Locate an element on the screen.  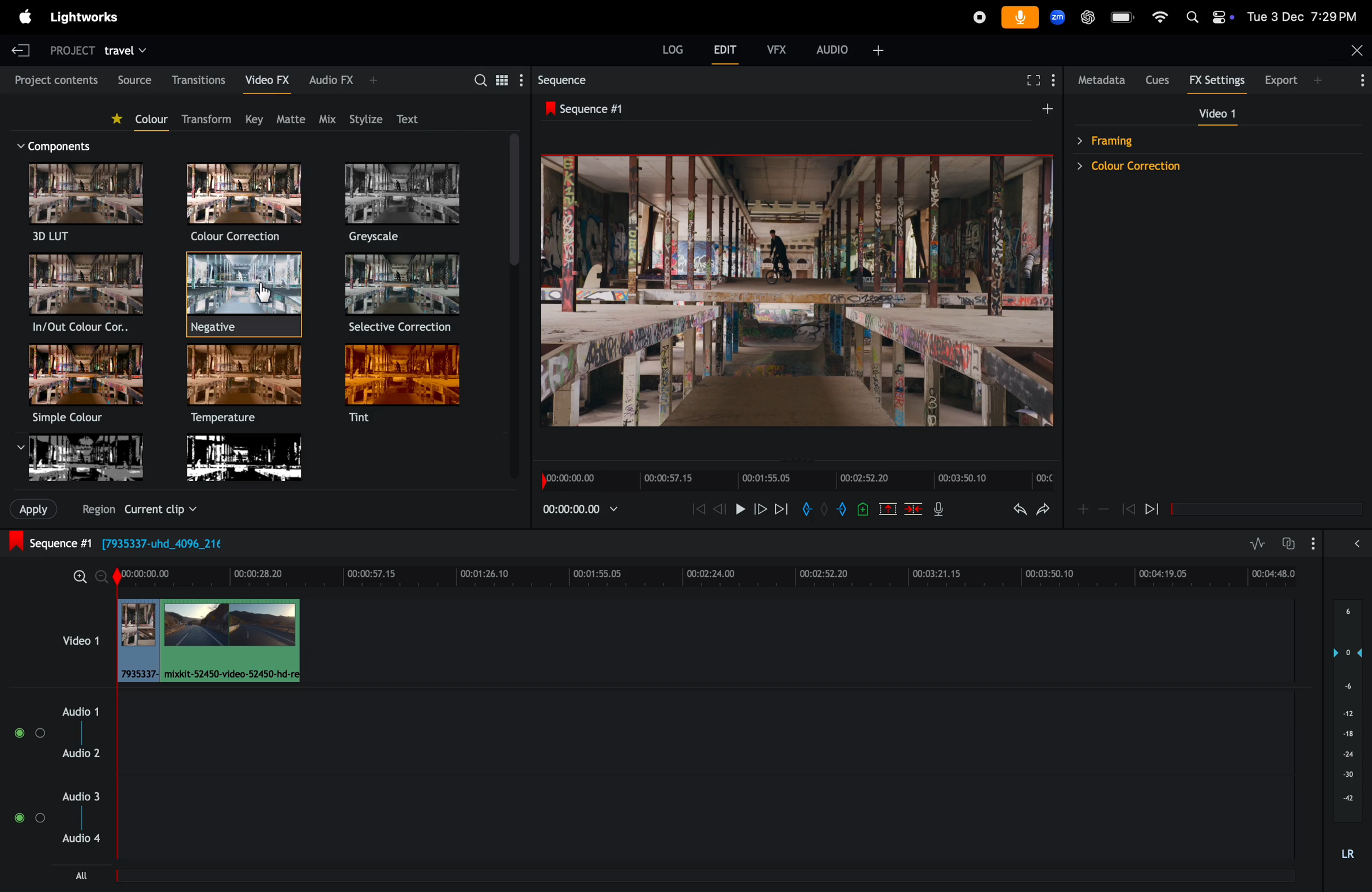
rewind is located at coordinates (696, 511).